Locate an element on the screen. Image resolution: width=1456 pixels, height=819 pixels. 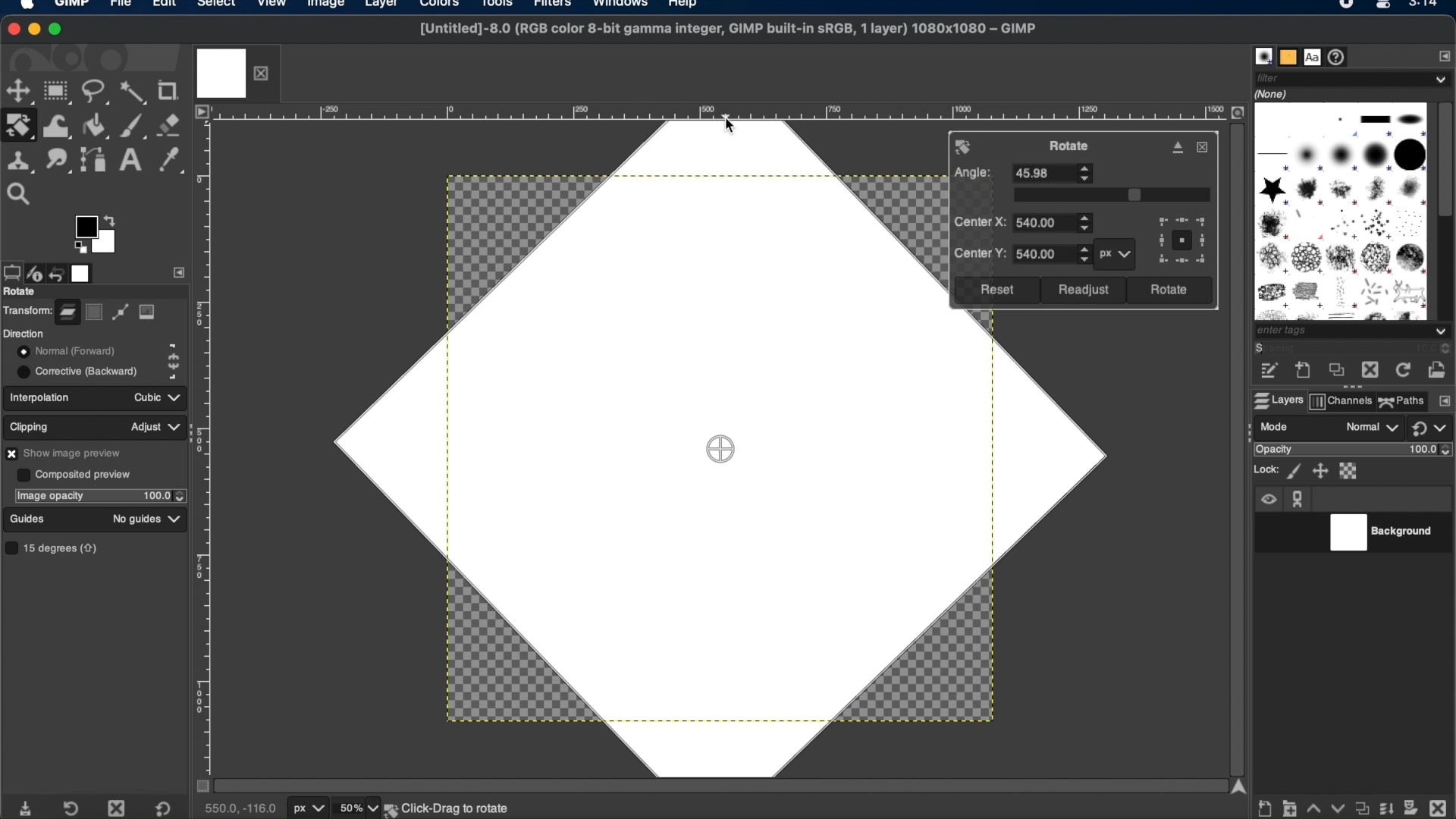
direction is located at coordinates (24, 333).